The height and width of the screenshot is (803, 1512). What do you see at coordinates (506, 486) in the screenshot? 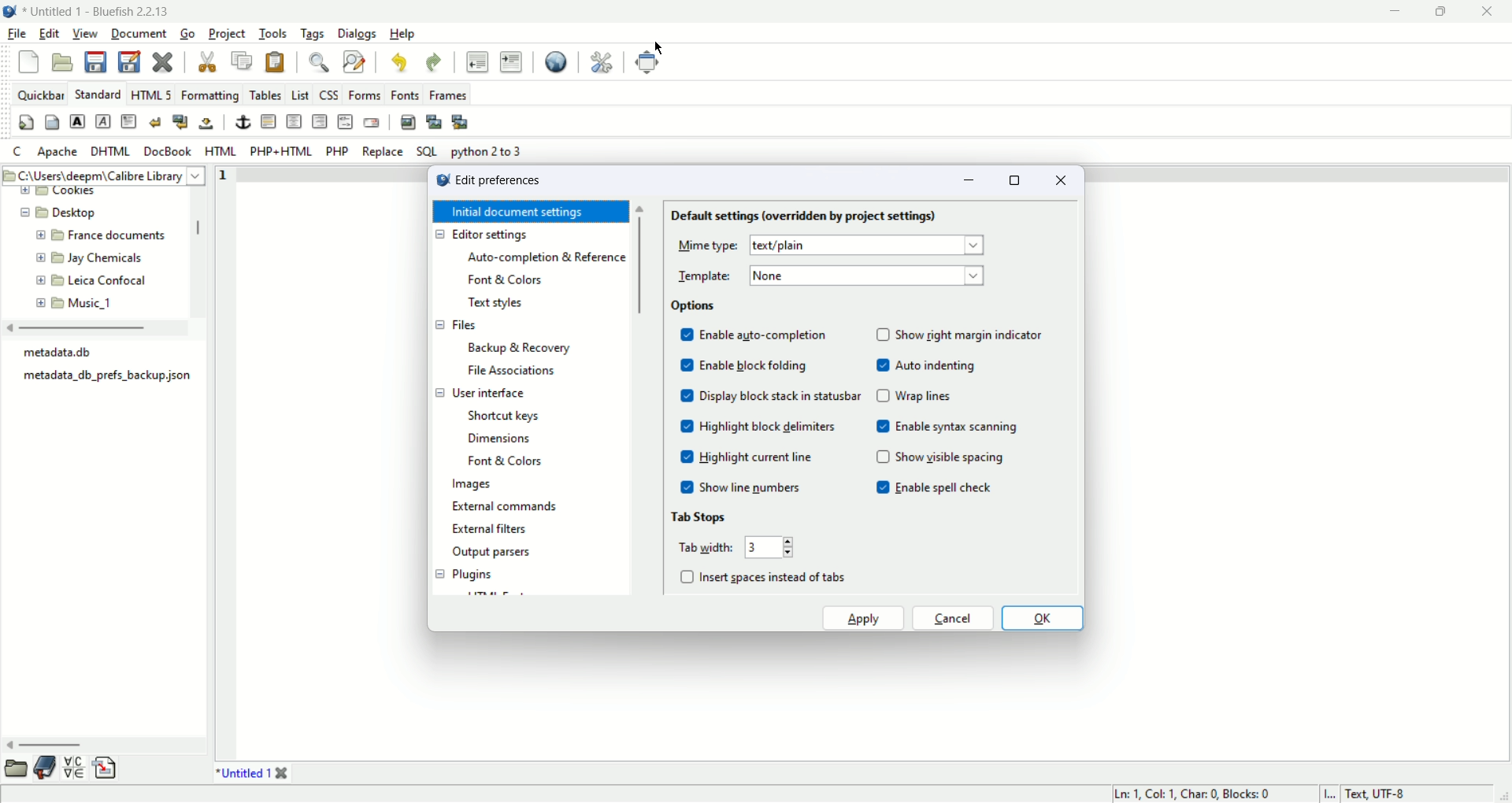
I see `Images` at bounding box center [506, 486].